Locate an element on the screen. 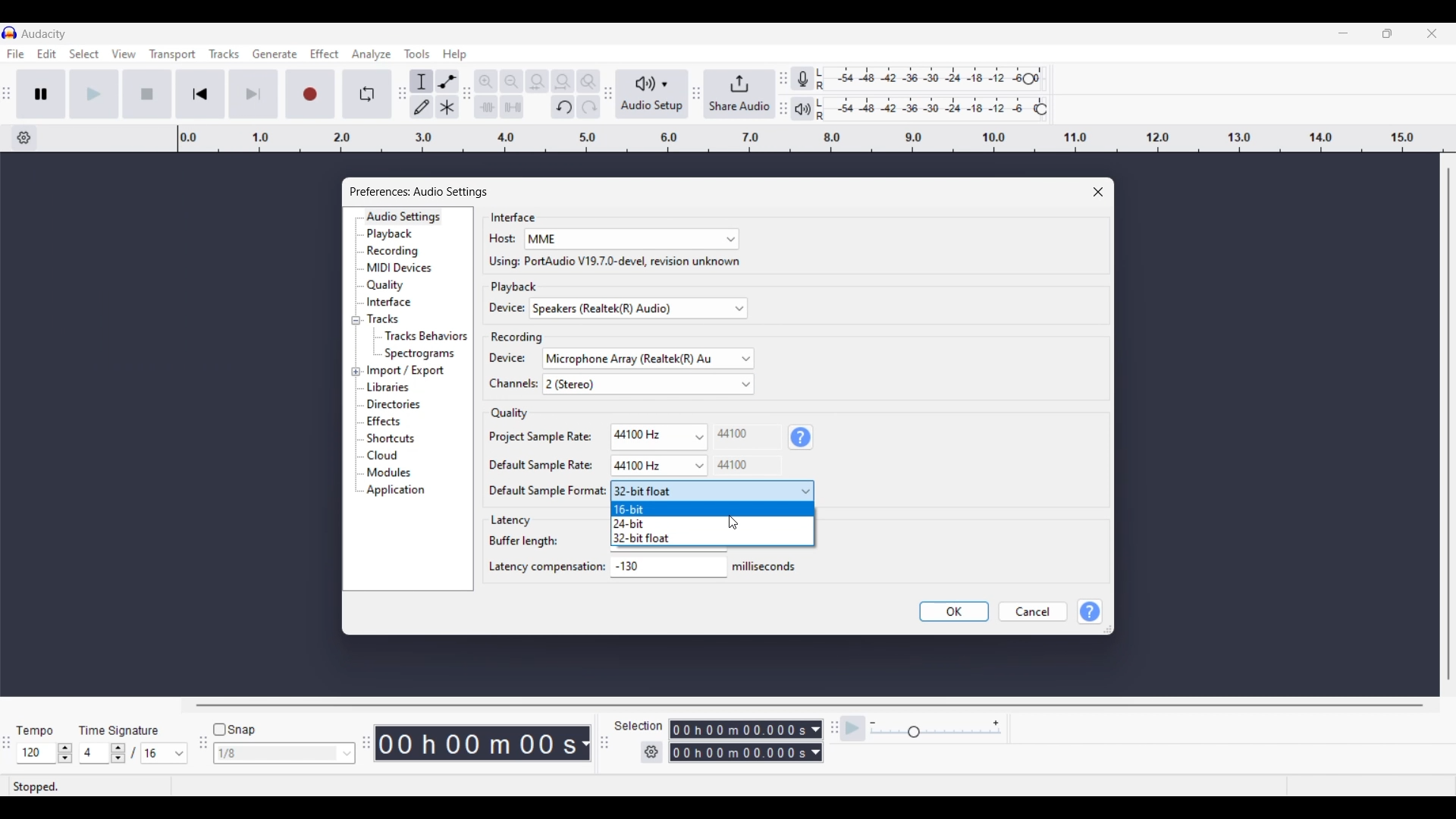 The image size is (1456, 819). | Host: is located at coordinates (494, 240).